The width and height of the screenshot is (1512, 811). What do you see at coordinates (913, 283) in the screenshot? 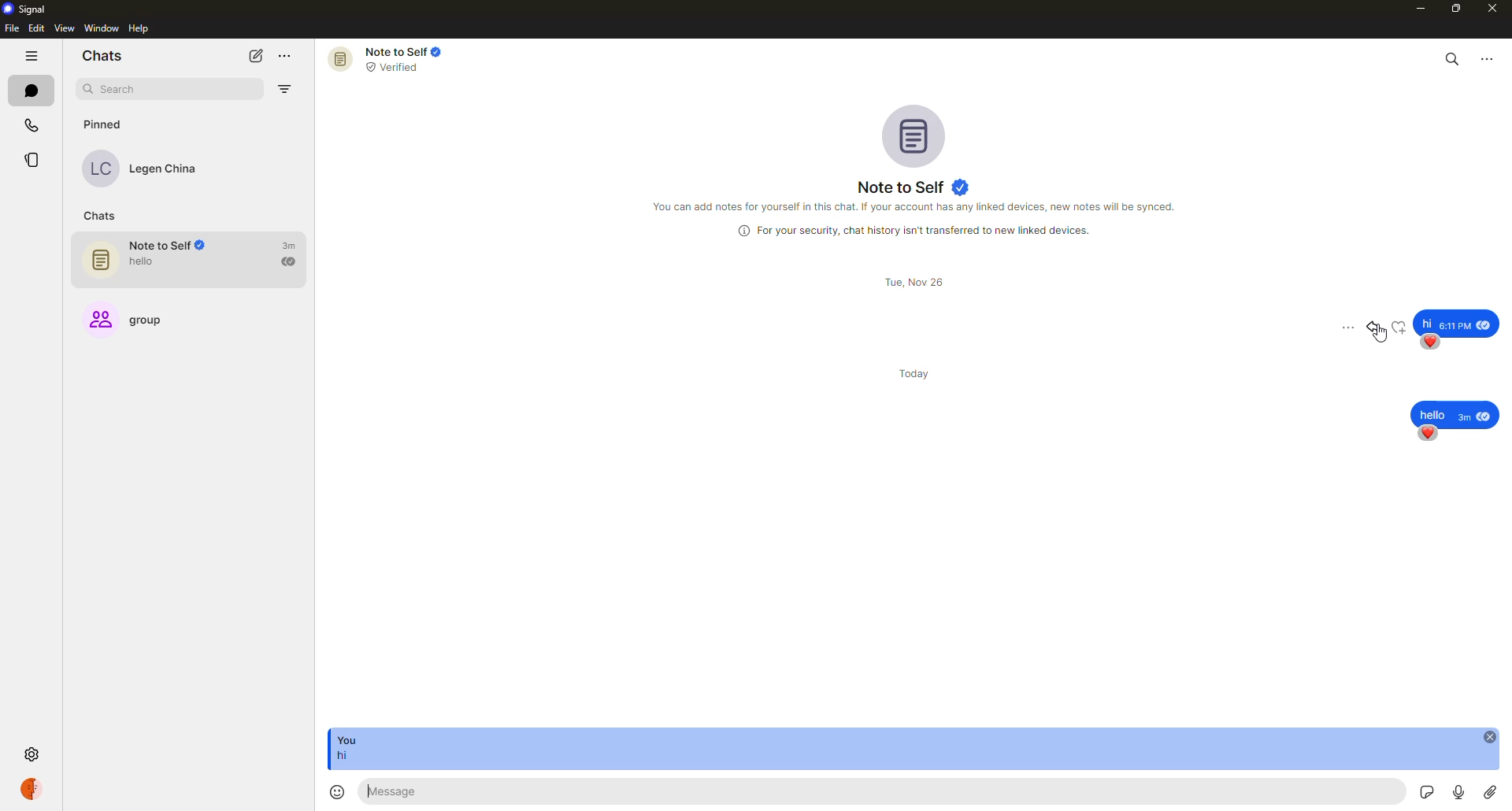
I see `day` at bounding box center [913, 283].